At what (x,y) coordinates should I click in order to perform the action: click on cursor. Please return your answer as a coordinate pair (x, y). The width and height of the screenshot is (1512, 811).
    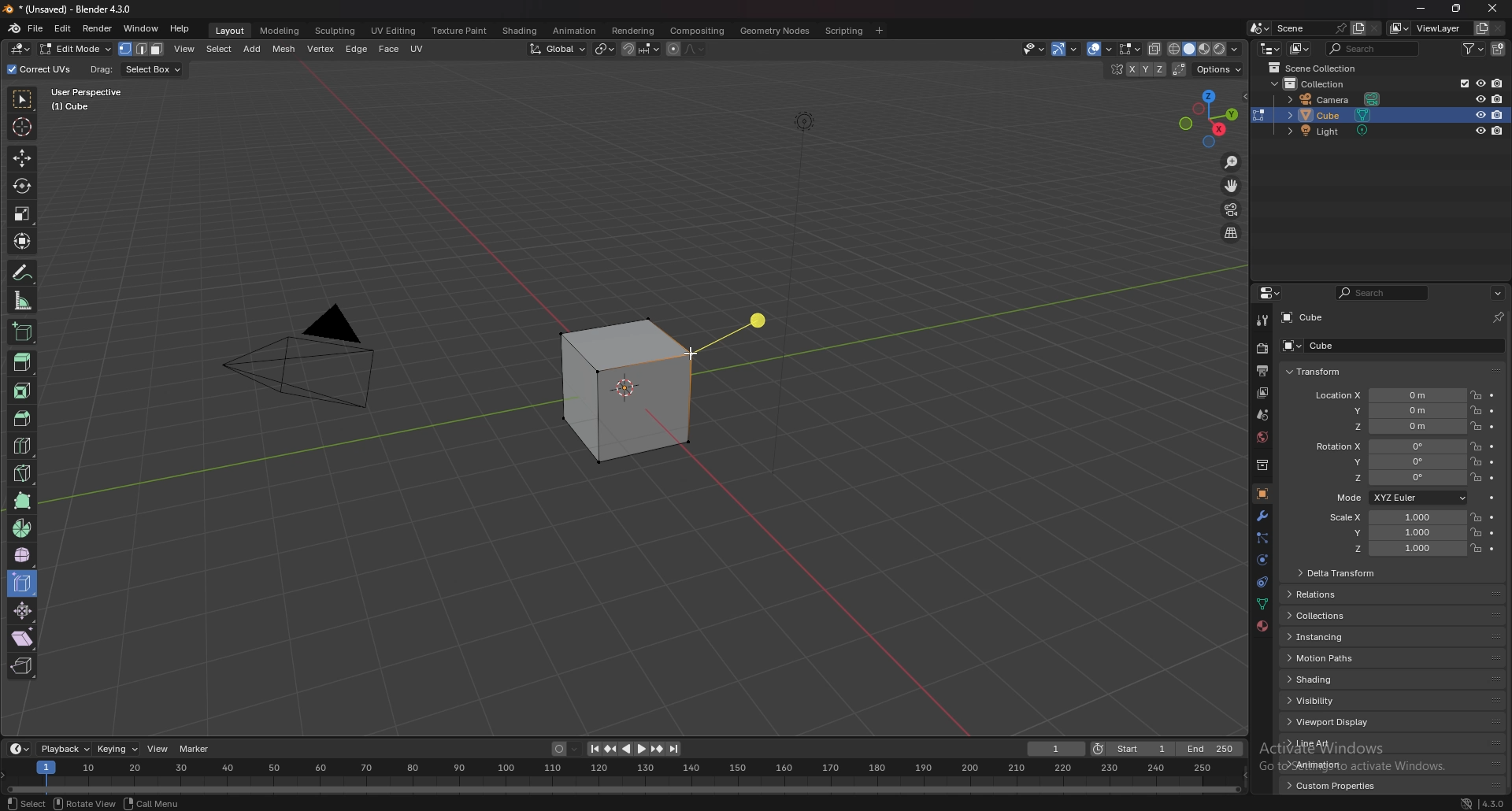
    Looking at the image, I should click on (22, 127).